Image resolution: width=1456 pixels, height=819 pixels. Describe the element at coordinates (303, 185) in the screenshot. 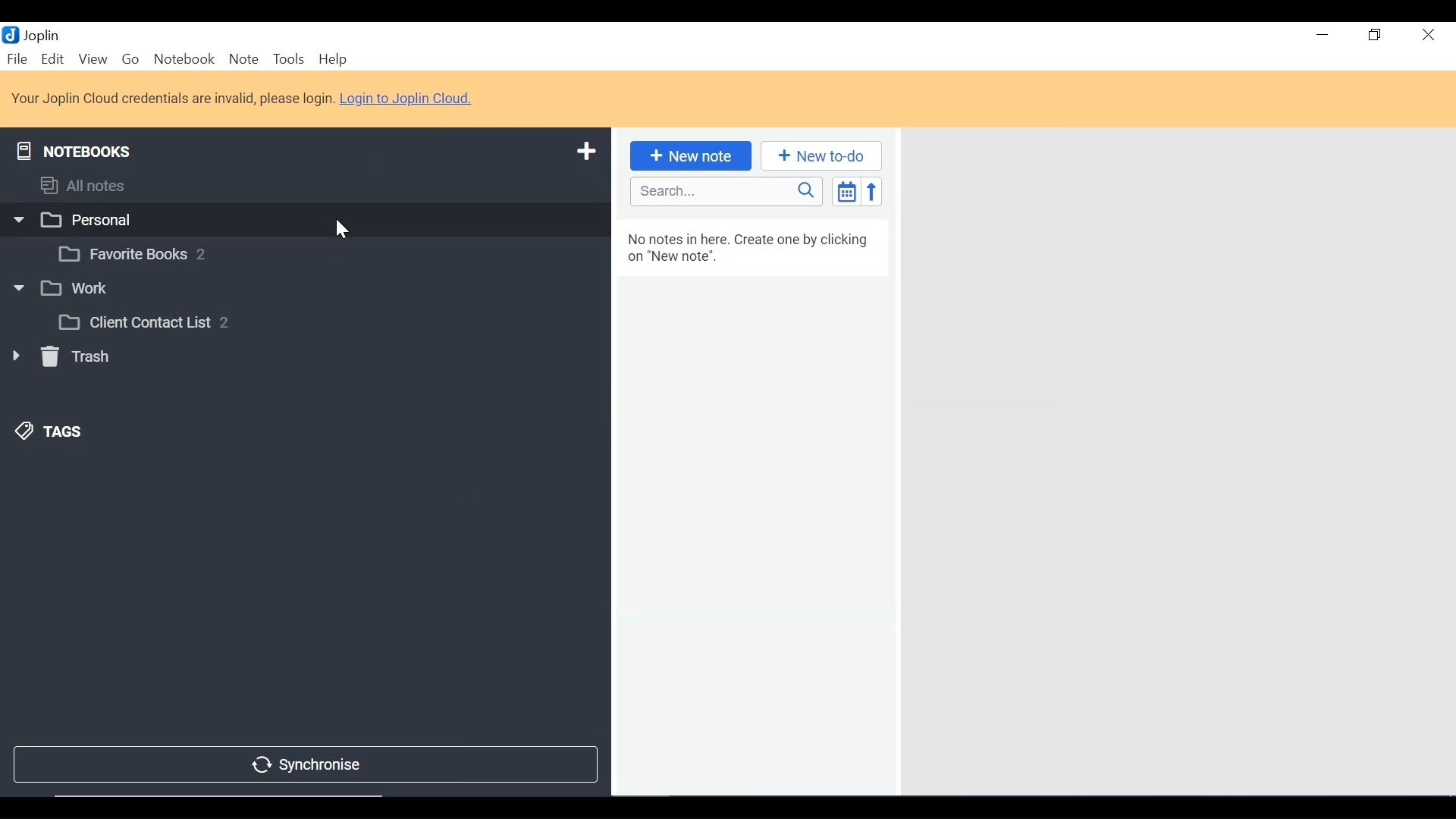

I see `Notebooks and Tags Display` at that location.